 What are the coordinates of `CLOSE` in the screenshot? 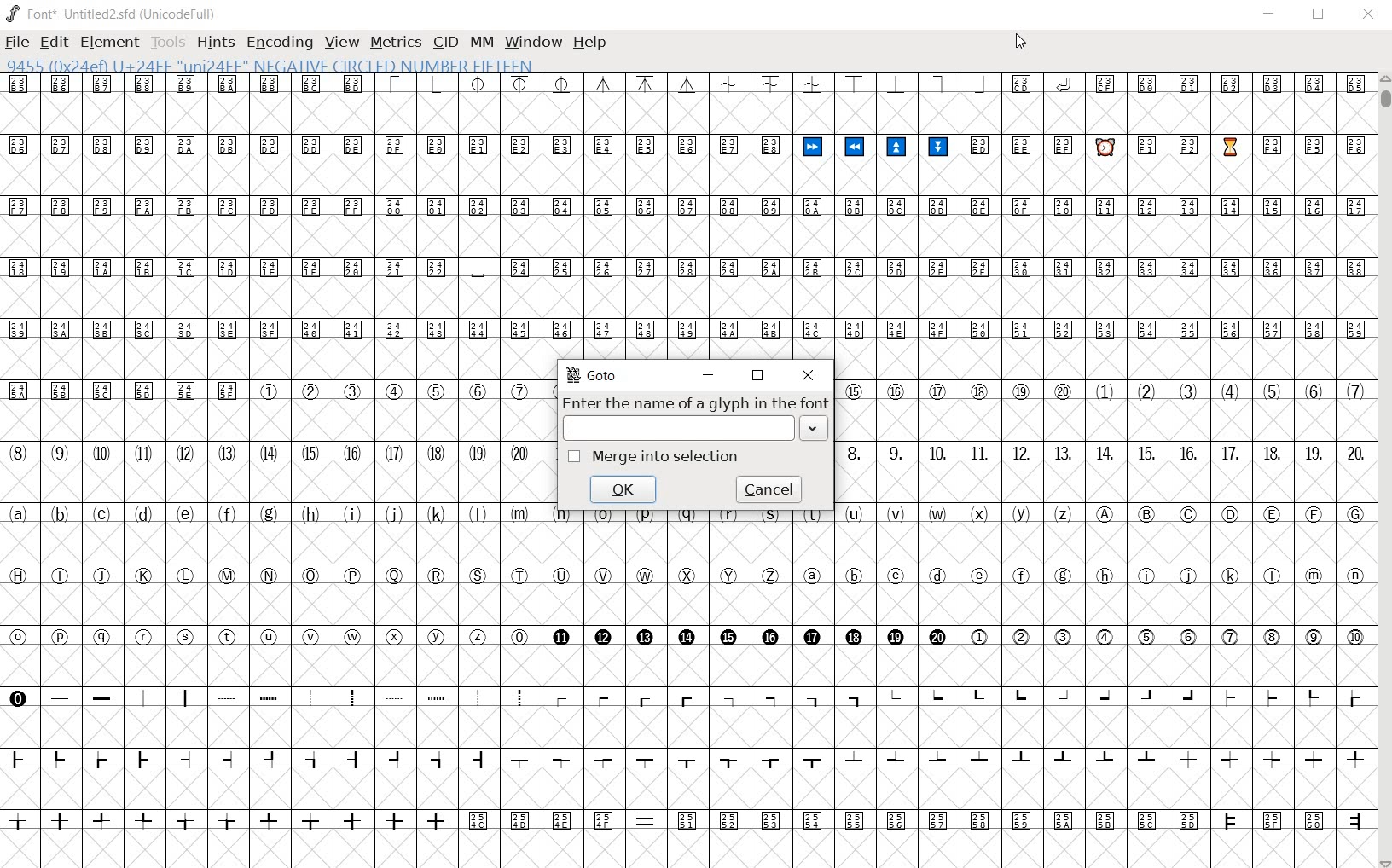 It's located at (1371, 14).